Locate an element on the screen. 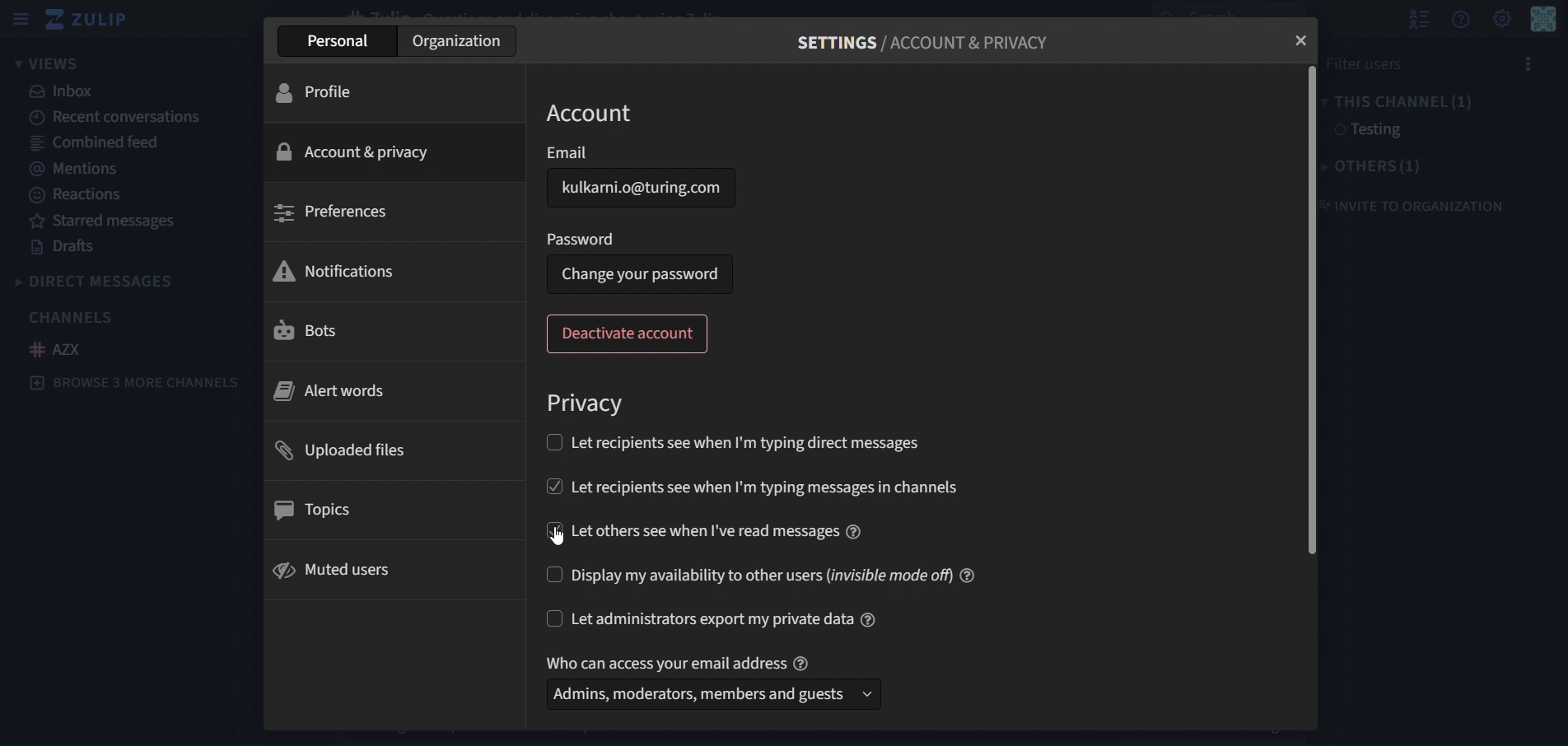  check box is located at coordinates (552, 529).